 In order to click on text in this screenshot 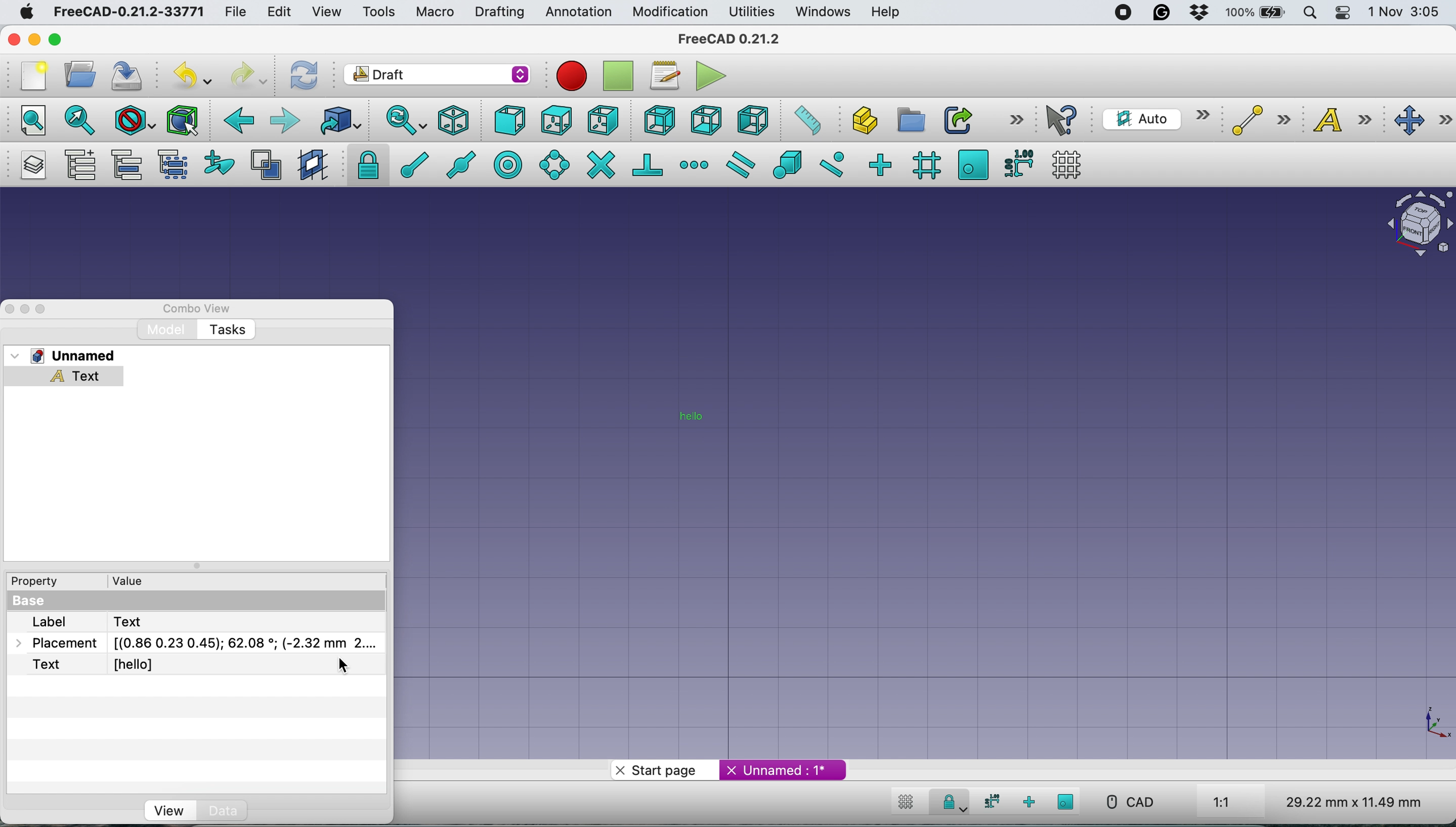, I will do `click(66, 378)`.